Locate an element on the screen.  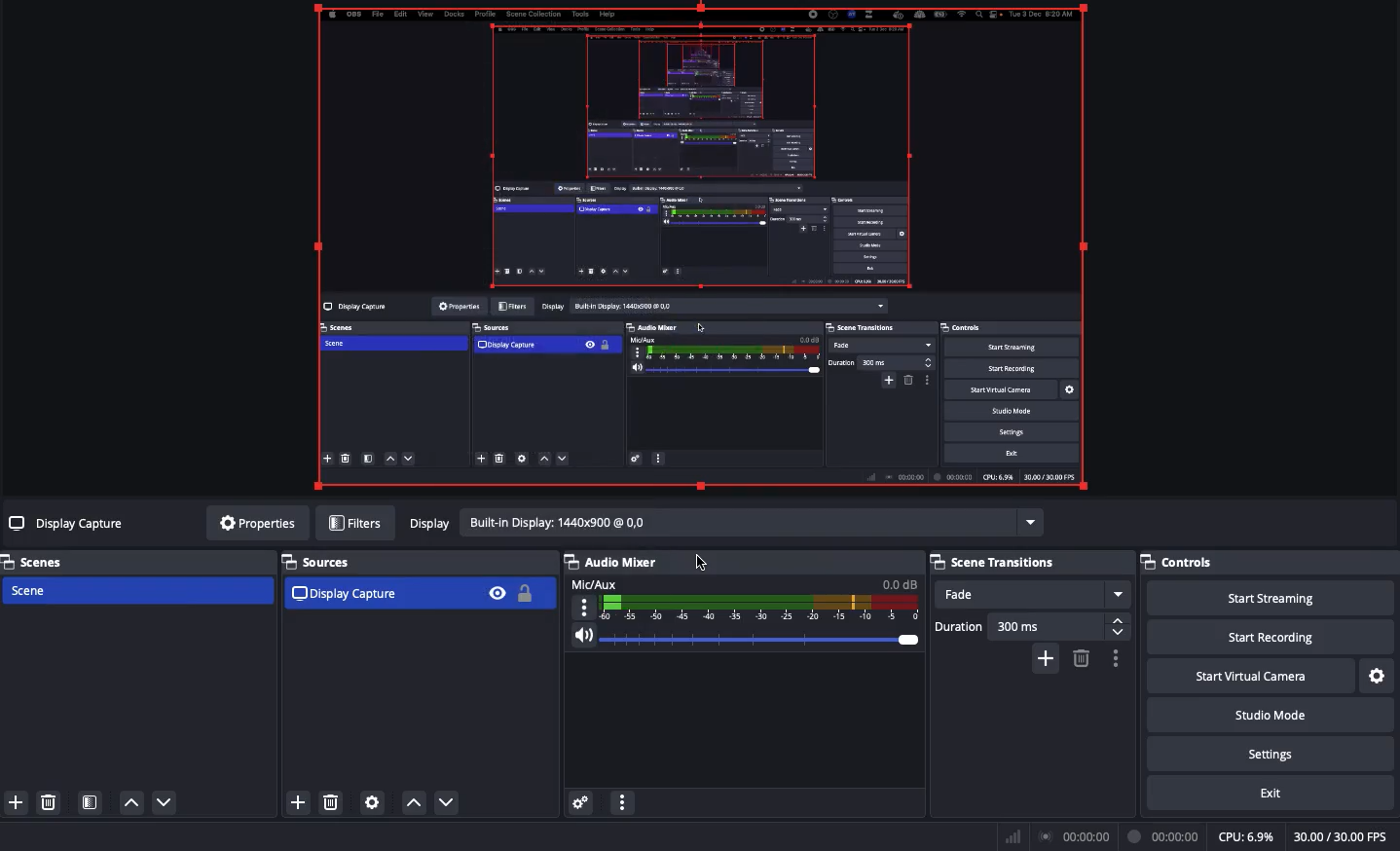
CPU is located at coordinates (1245, 837).